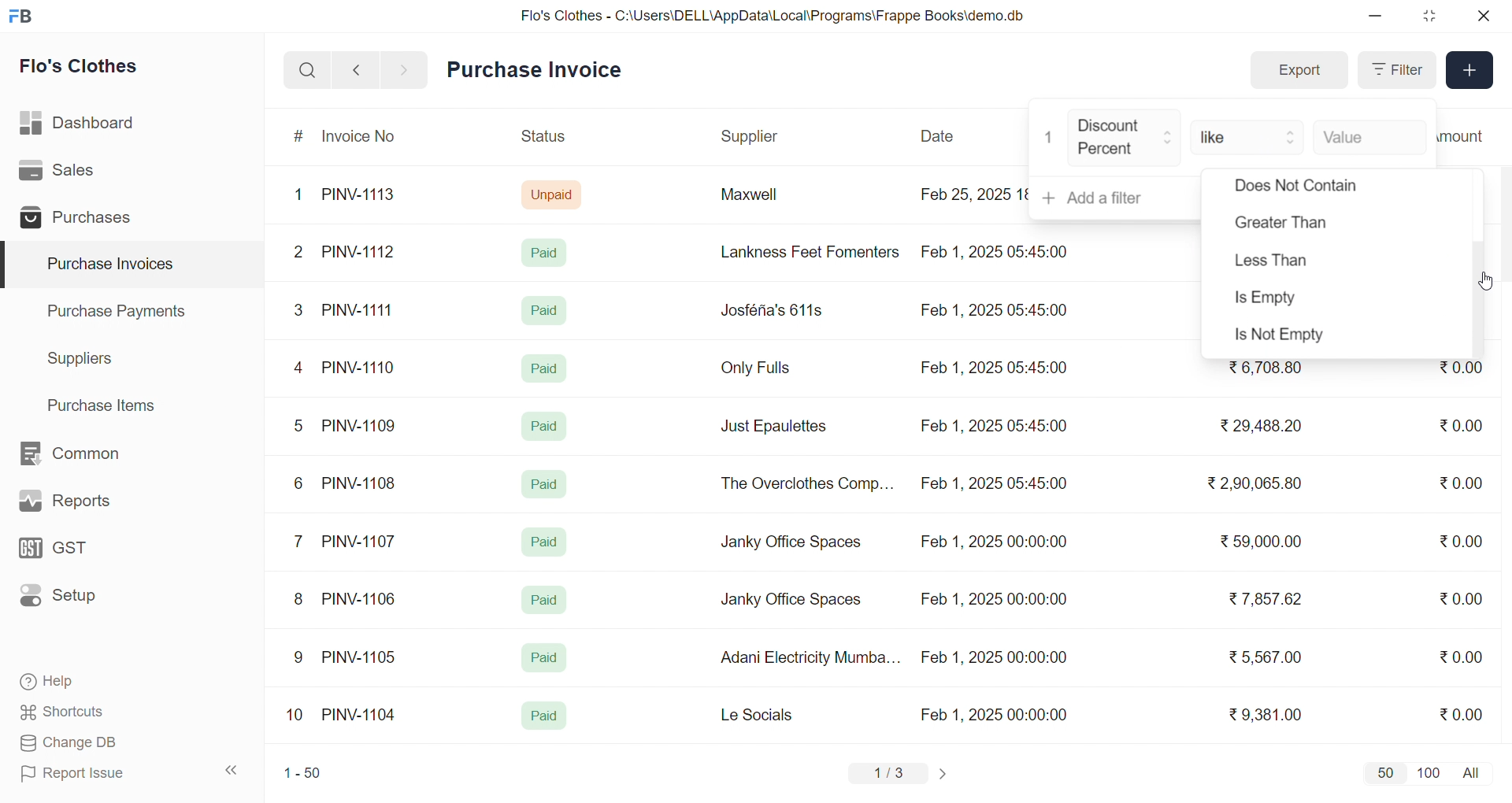 This screenshot has height=803, width=1512. I want to click on Date, so click(939, 136).